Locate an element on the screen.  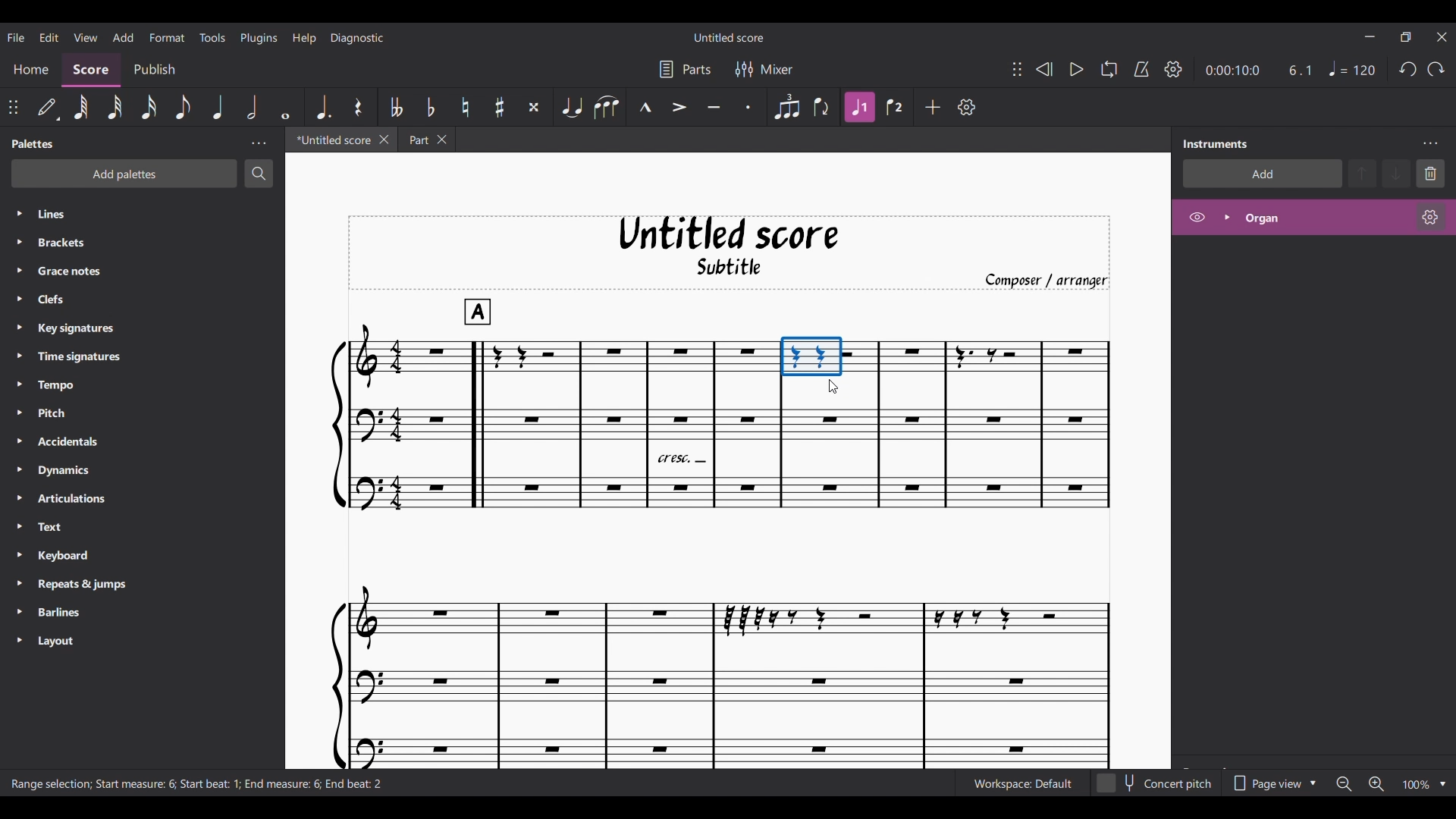
Rest is located at coordinates (357, 106).